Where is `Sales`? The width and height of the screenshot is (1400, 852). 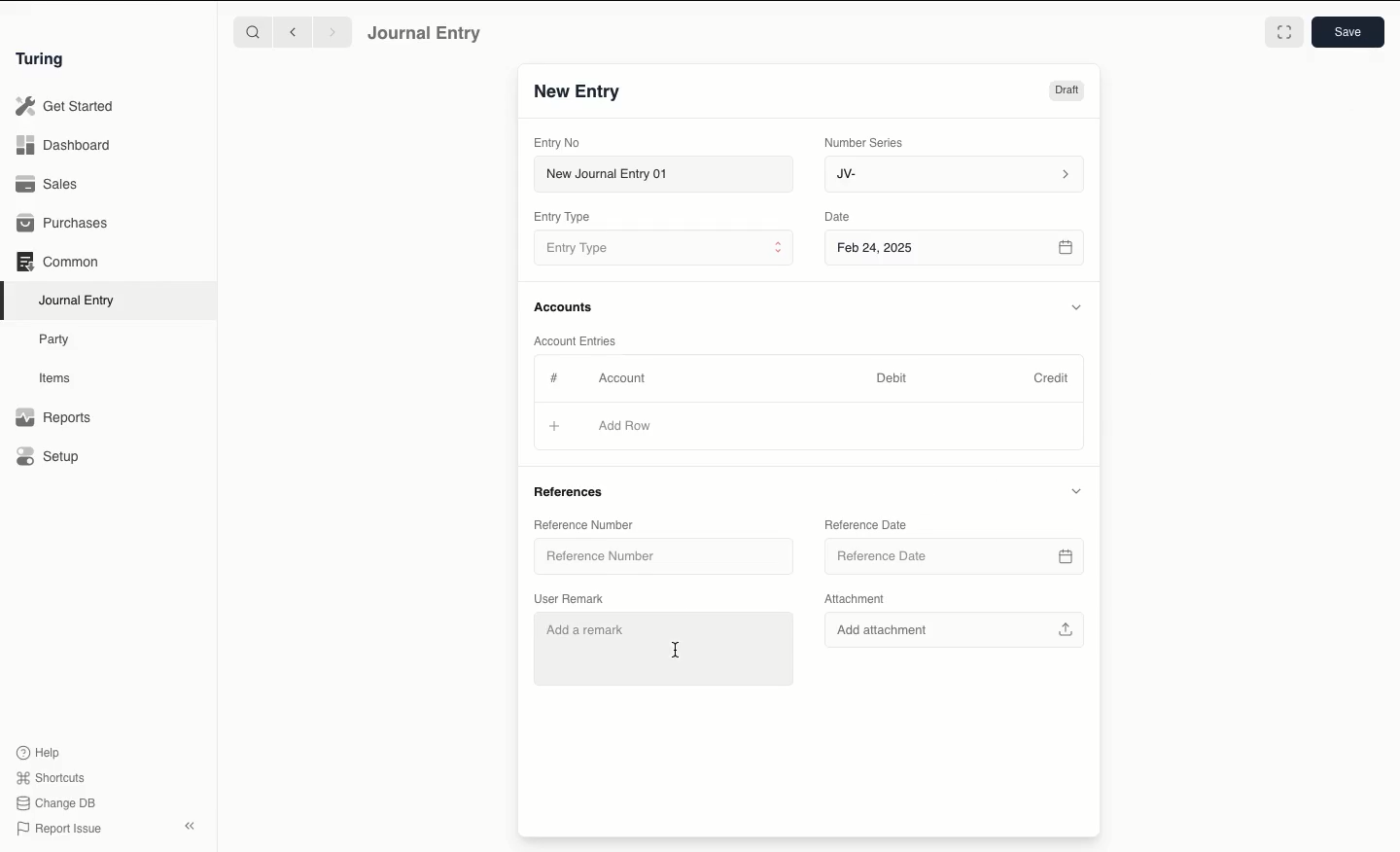 Sales is located at coordinates (50, 184).